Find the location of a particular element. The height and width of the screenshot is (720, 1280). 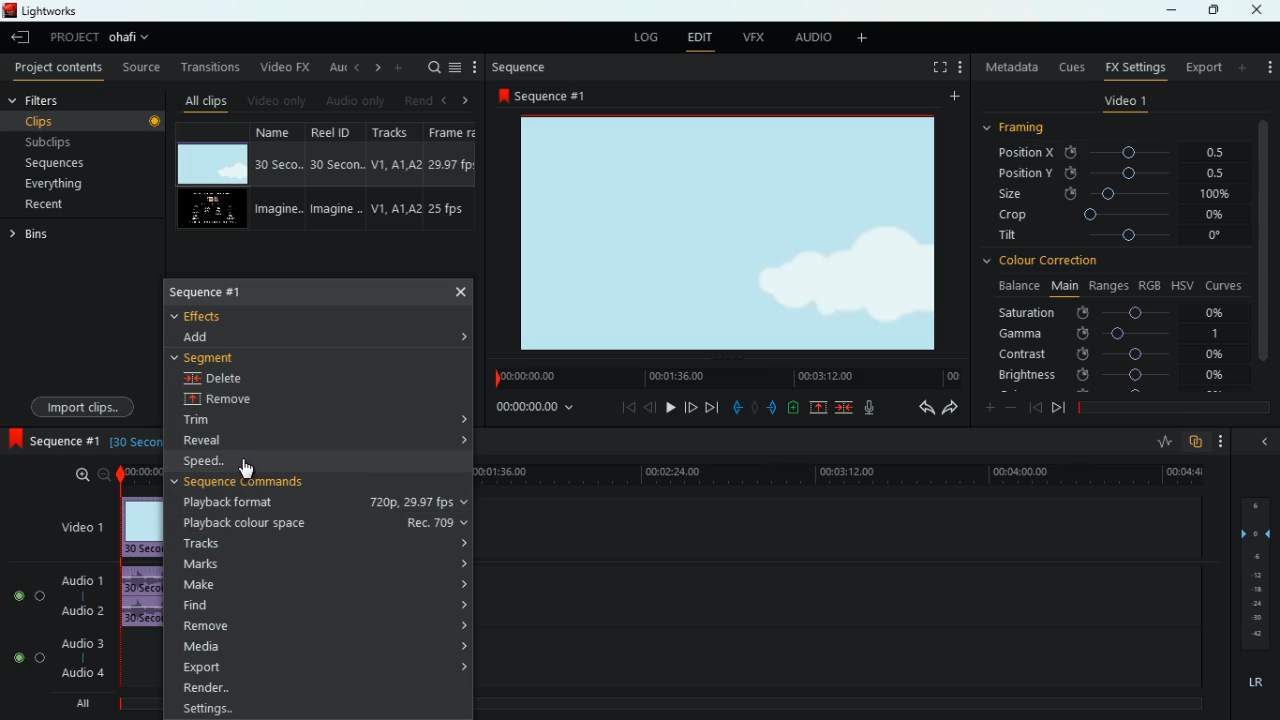

remove is located at coordinates (226, 401).